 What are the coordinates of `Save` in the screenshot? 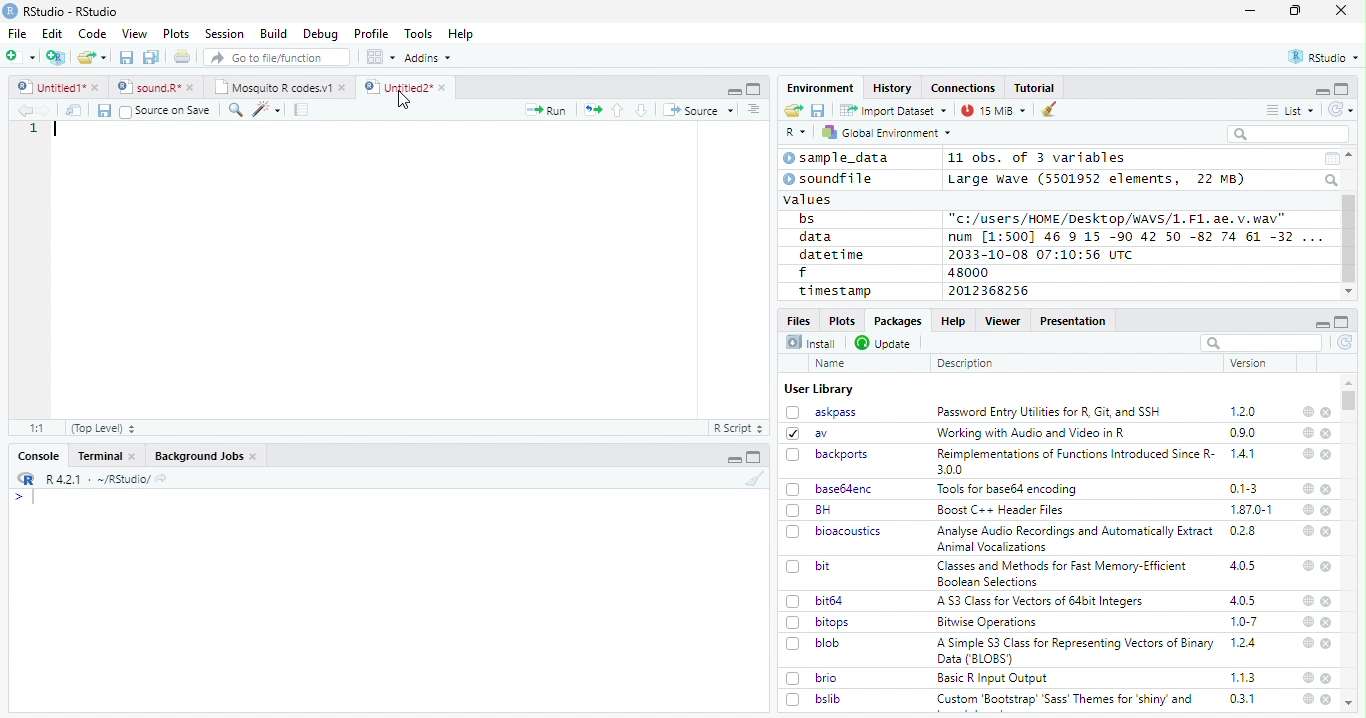 It's located at (103, 111).